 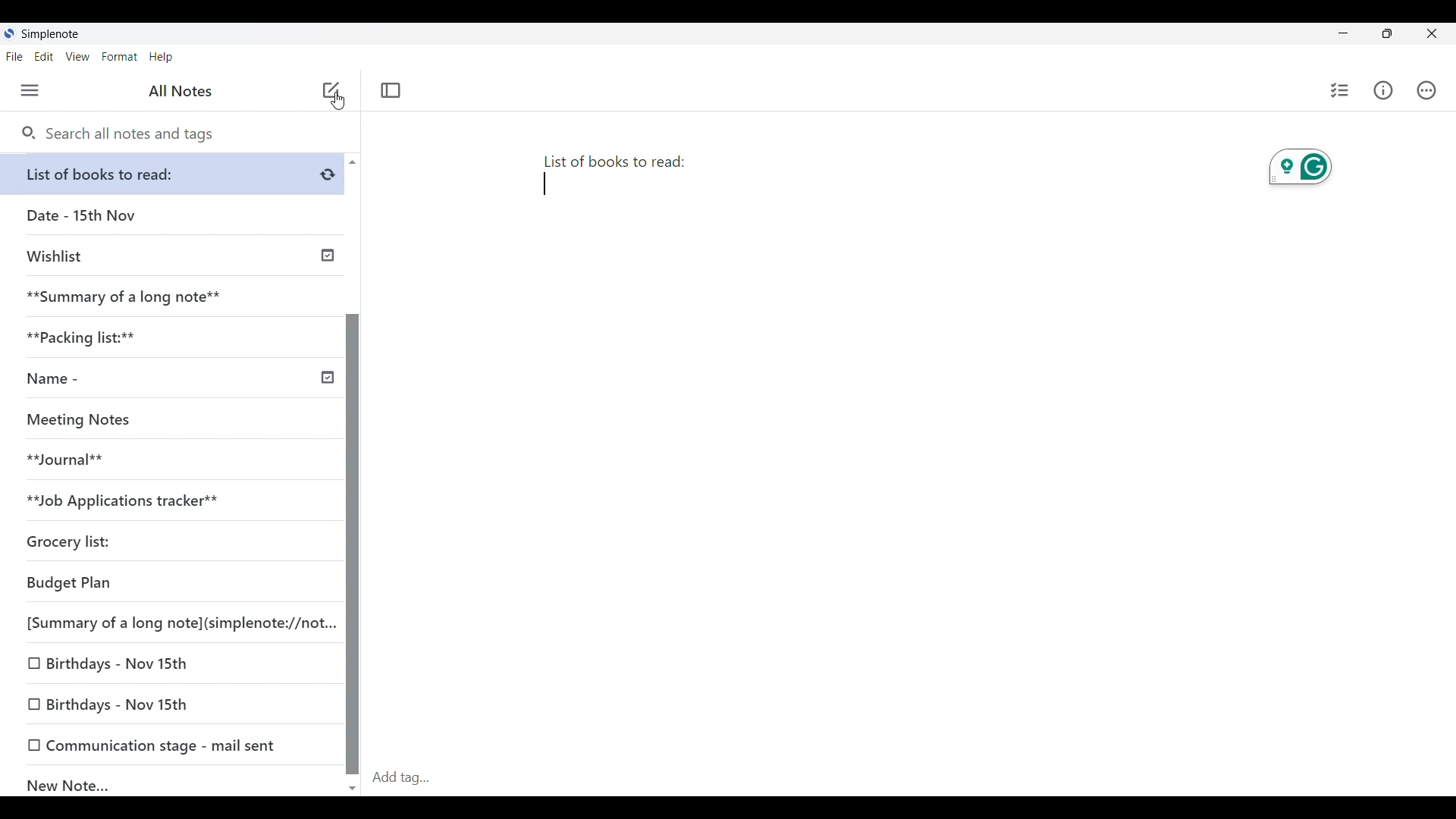 I want to click on Meeting Notes, so click(x=167, y=420).